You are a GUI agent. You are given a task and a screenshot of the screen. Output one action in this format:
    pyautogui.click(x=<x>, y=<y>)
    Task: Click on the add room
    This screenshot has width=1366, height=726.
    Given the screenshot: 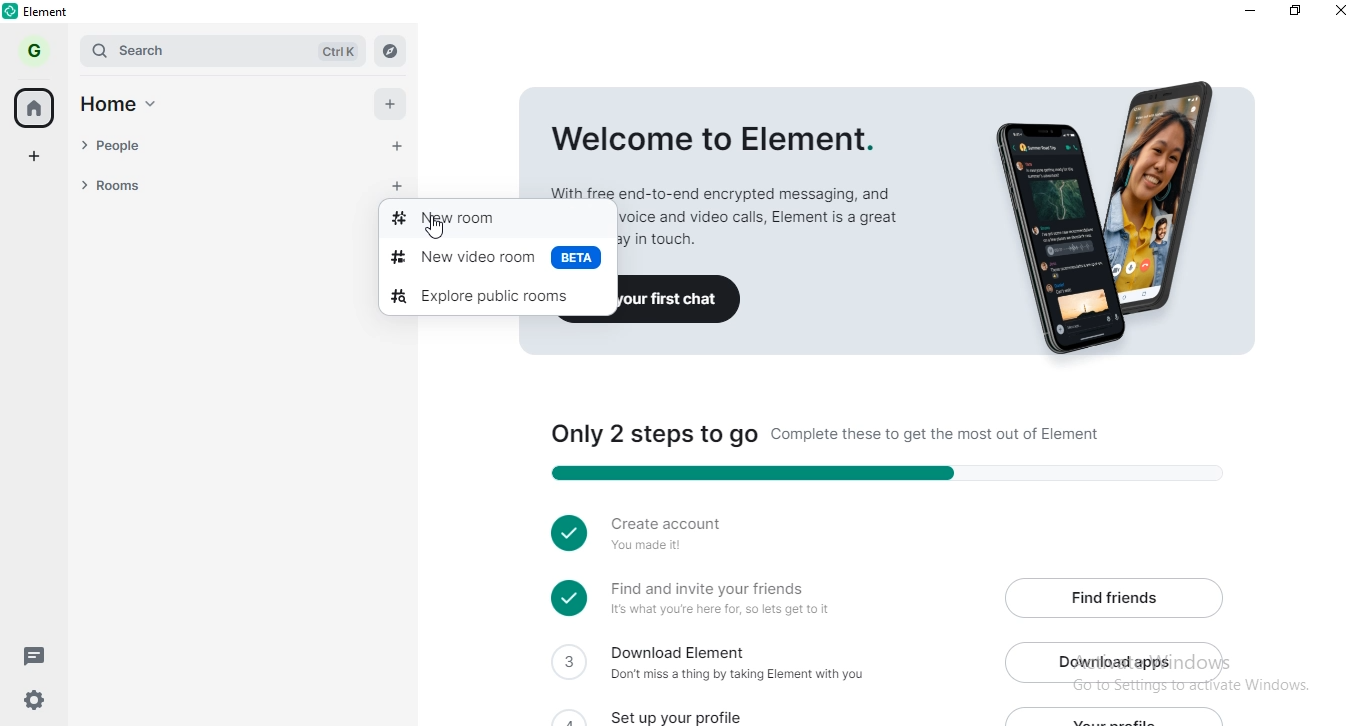 What is the action you would take?
    pyautogui.click(x=402, y=188)
    